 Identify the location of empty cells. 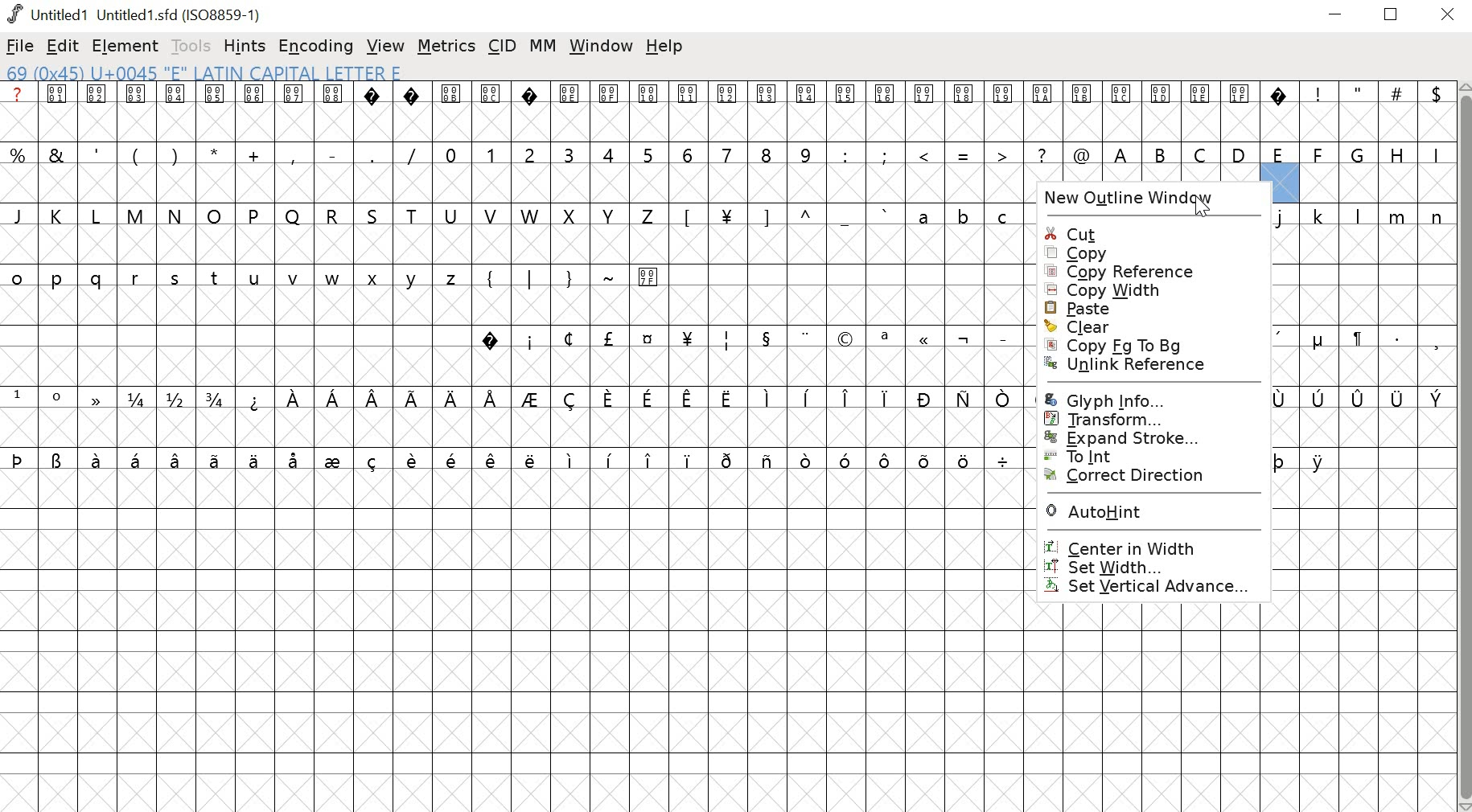
(1359, 429).